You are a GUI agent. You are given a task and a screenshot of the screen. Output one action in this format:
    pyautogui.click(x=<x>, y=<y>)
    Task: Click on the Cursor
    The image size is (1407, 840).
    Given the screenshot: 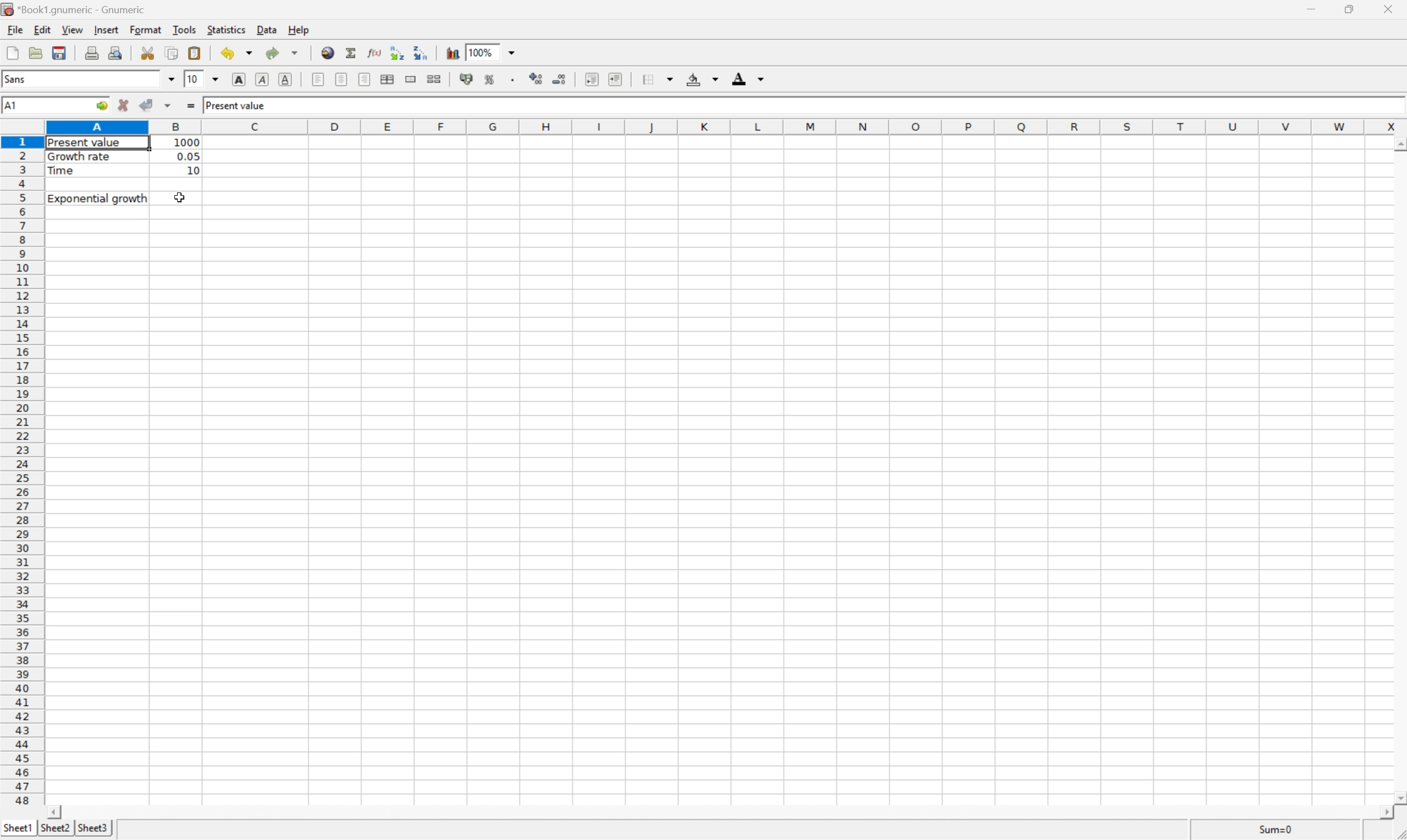 What is the action you would take?
    pyautogui.click(x=178, y=197)
    